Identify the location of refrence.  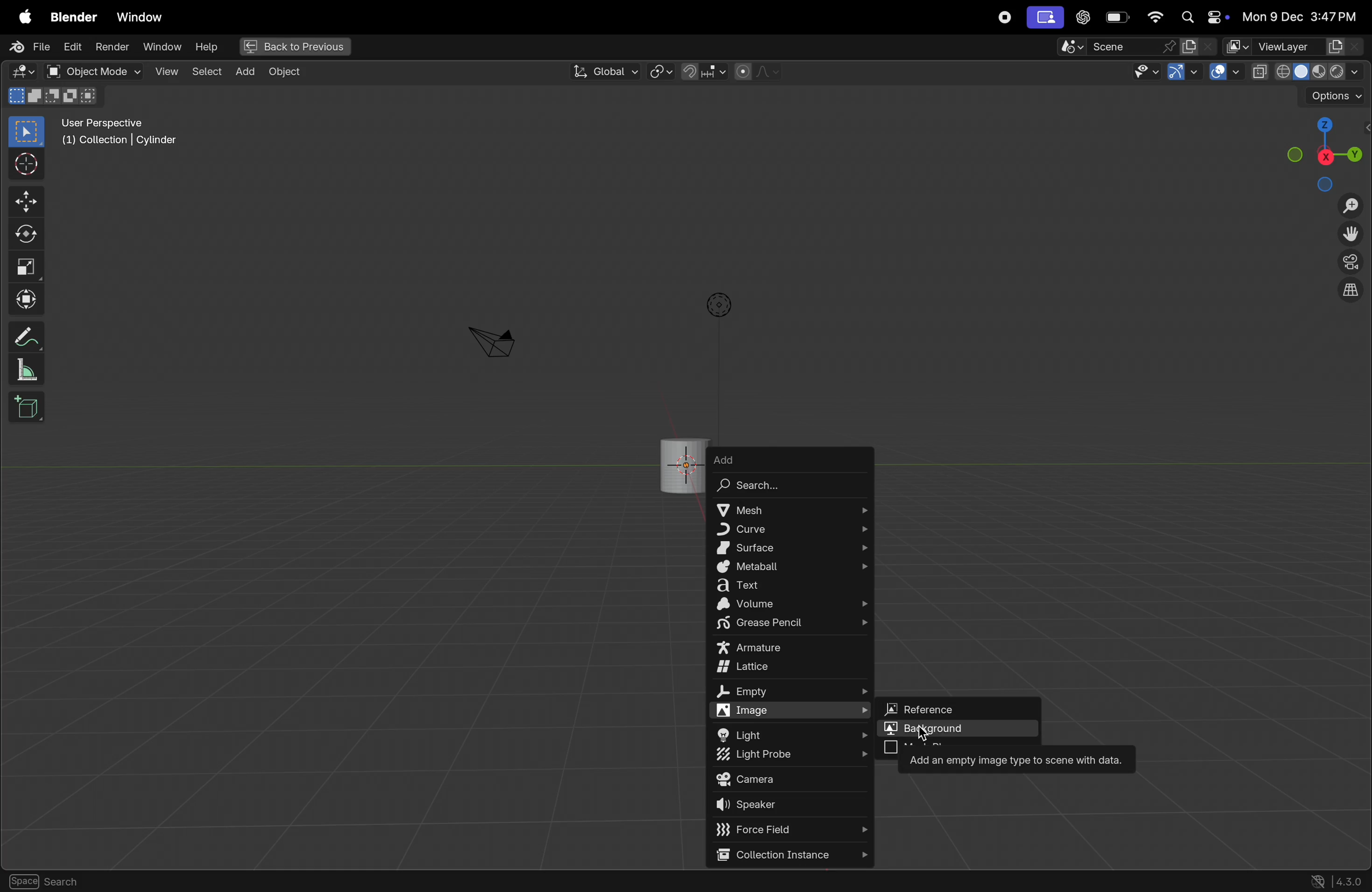
(961, 707).